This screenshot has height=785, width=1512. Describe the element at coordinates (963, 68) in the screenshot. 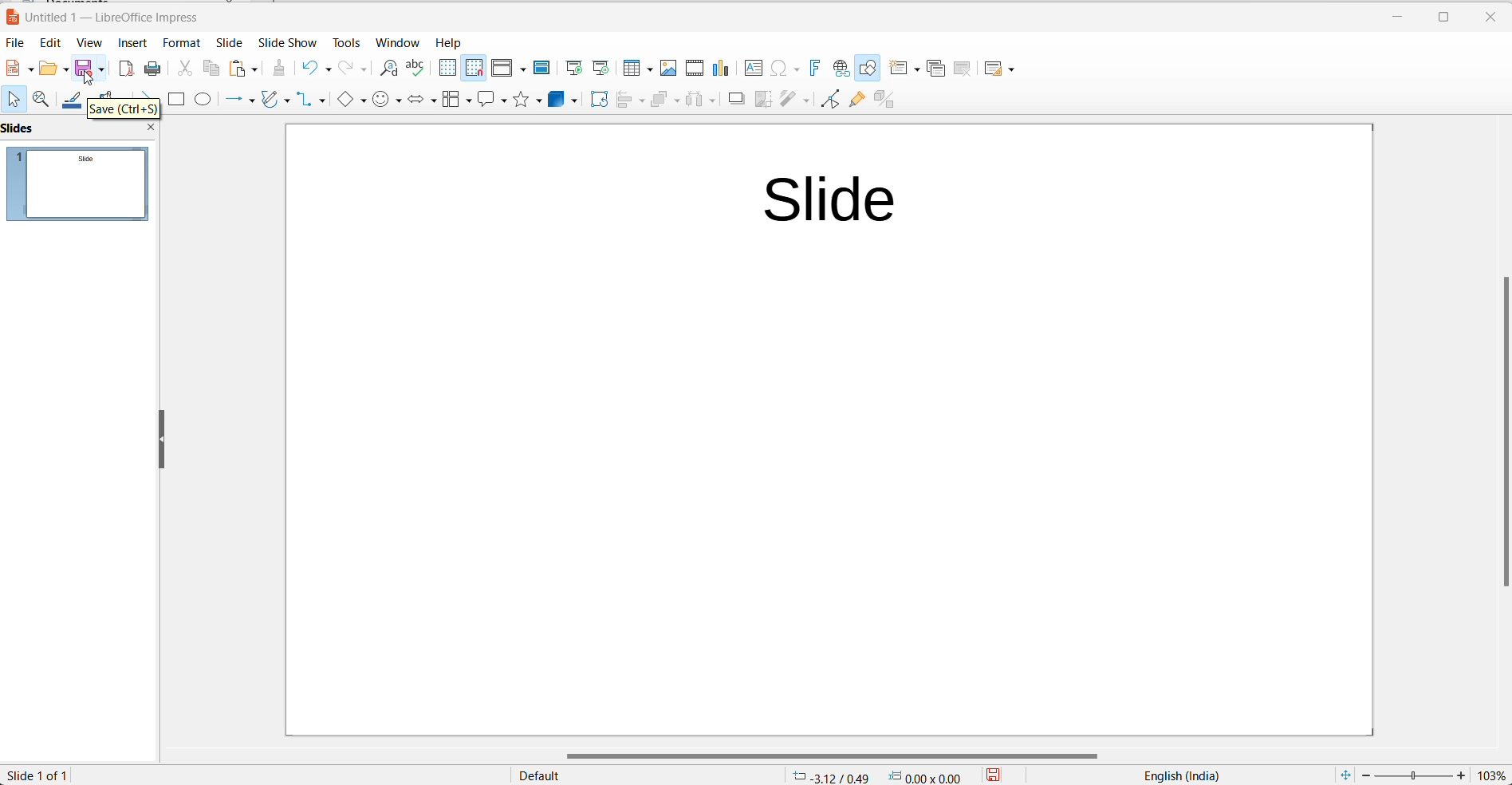

I see `delete slide` at that location.